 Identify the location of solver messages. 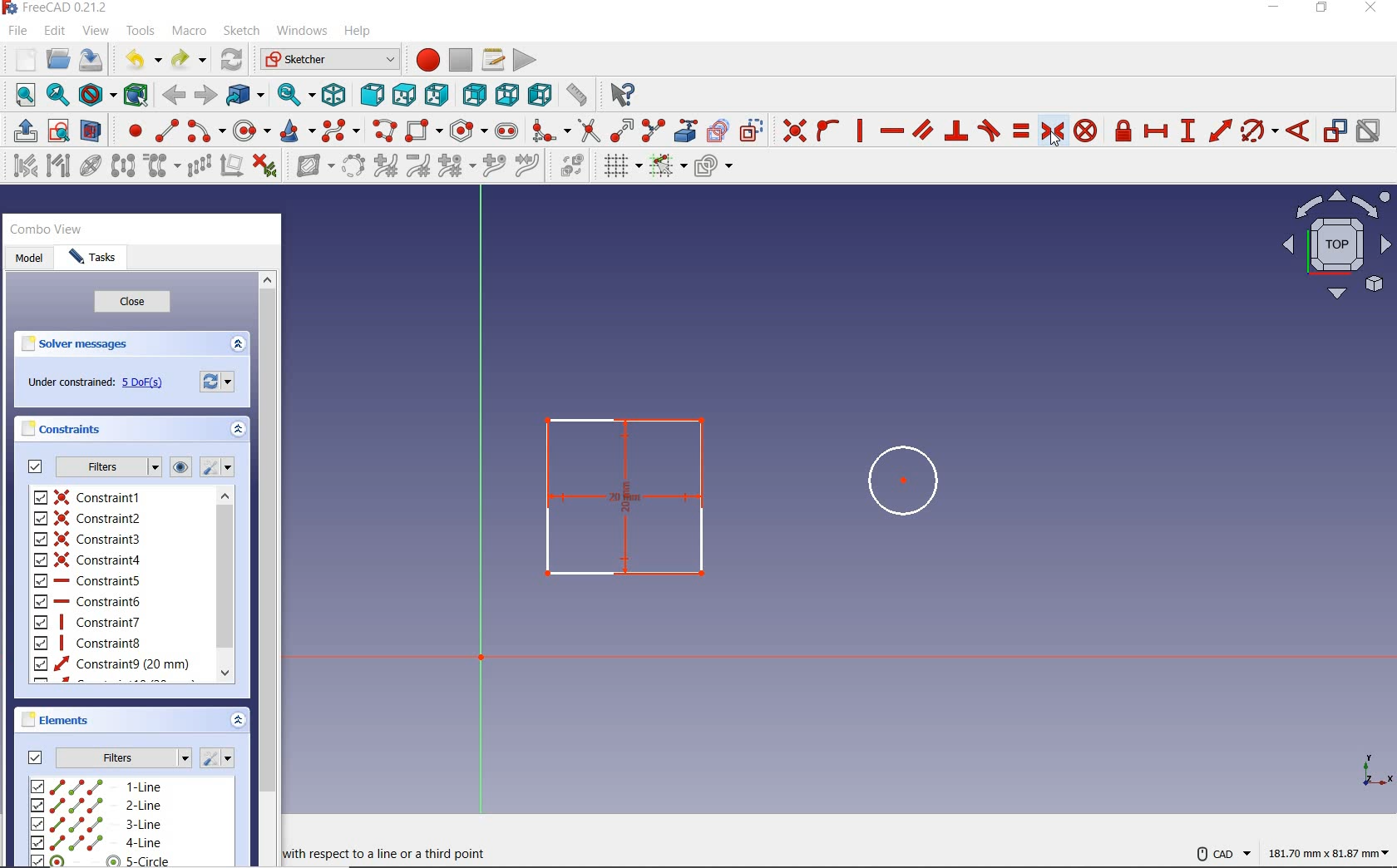
(75, 343).